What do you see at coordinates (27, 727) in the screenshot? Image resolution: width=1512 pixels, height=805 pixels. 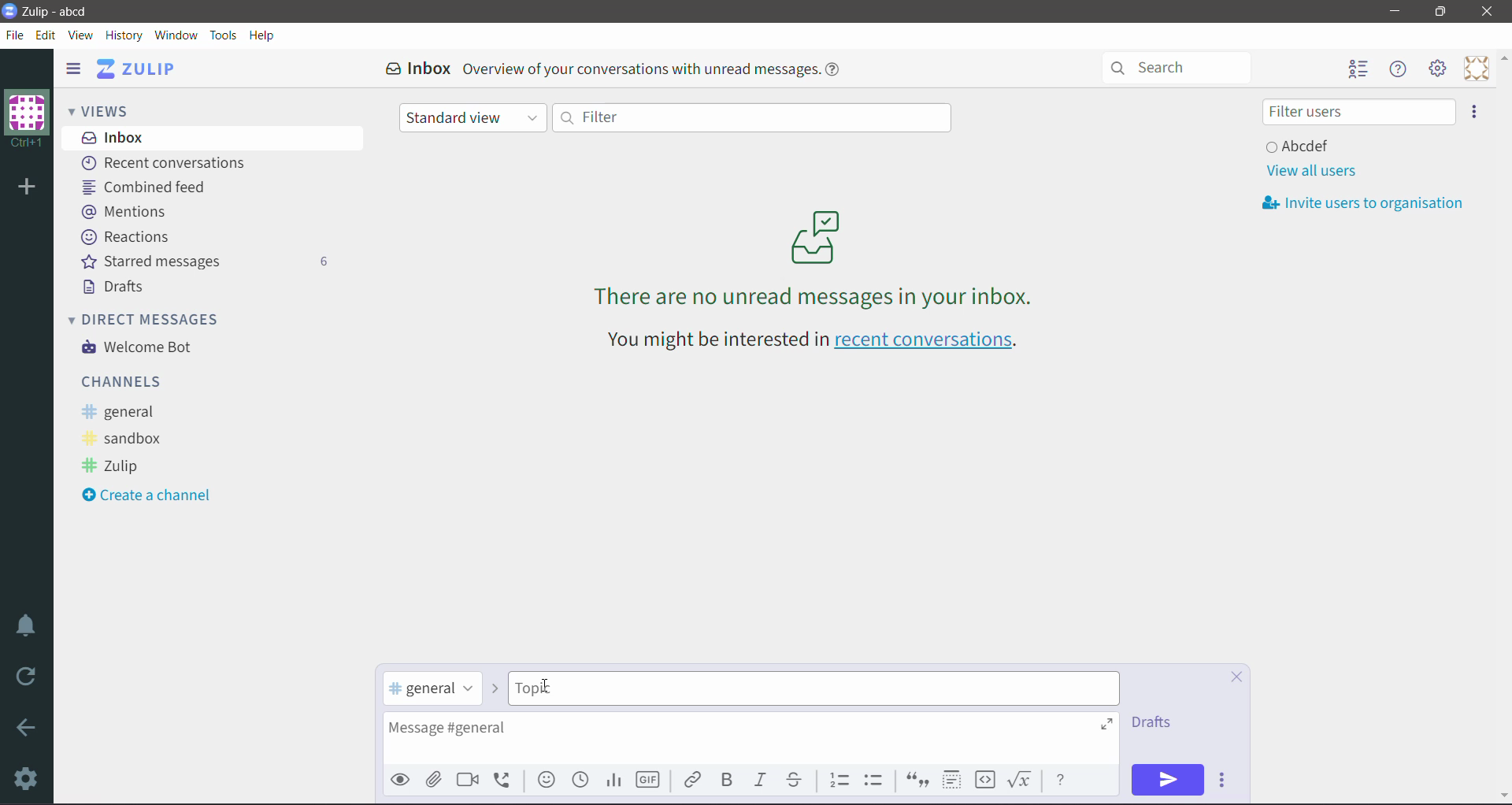 I see `Go Back` at bounding box center [27, 727].